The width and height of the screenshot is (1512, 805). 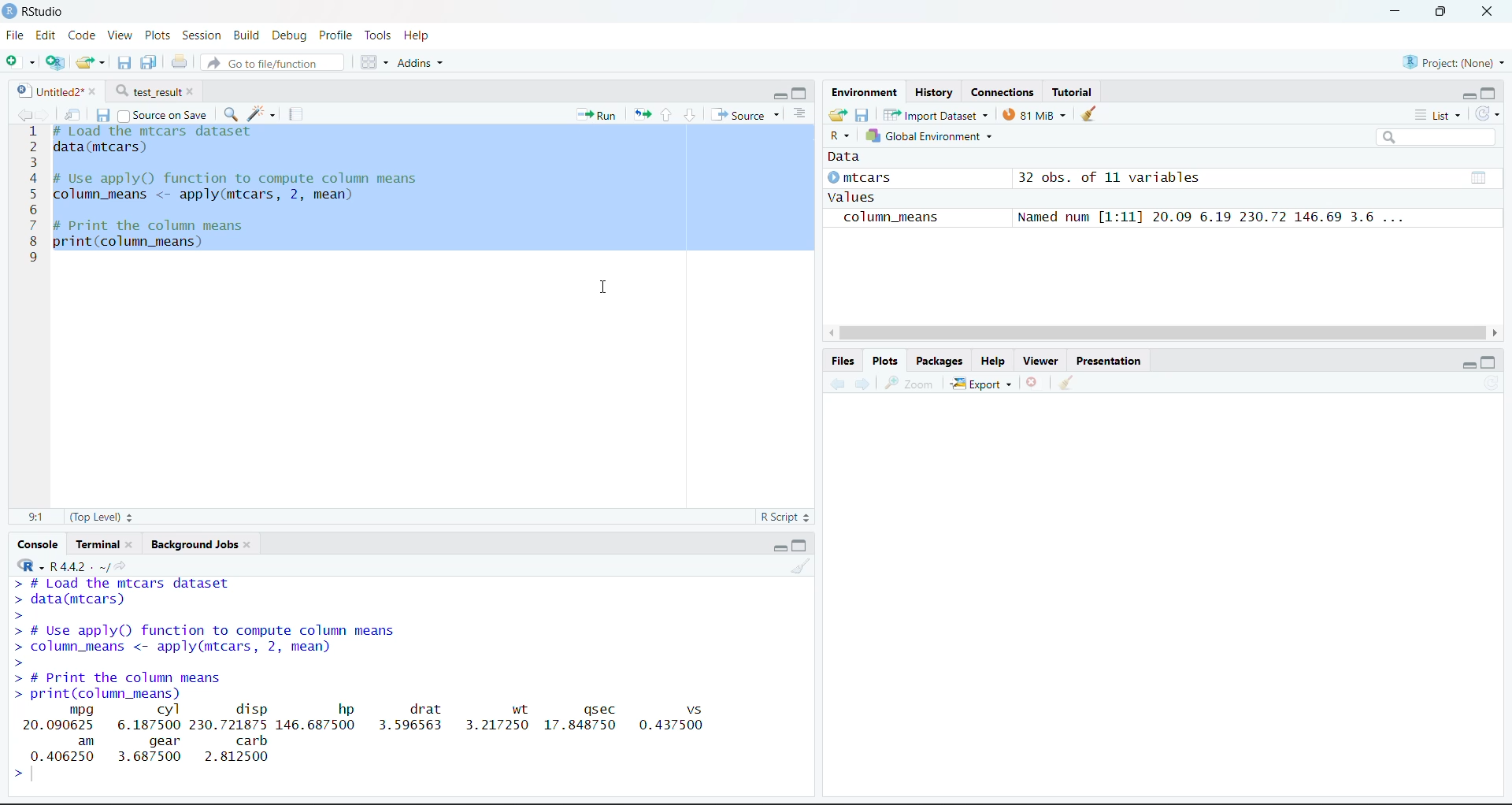 What do you see at coordinates (1459, 94) in the screenshot?
I see `Minimize` at bounding box center [1459, 94].